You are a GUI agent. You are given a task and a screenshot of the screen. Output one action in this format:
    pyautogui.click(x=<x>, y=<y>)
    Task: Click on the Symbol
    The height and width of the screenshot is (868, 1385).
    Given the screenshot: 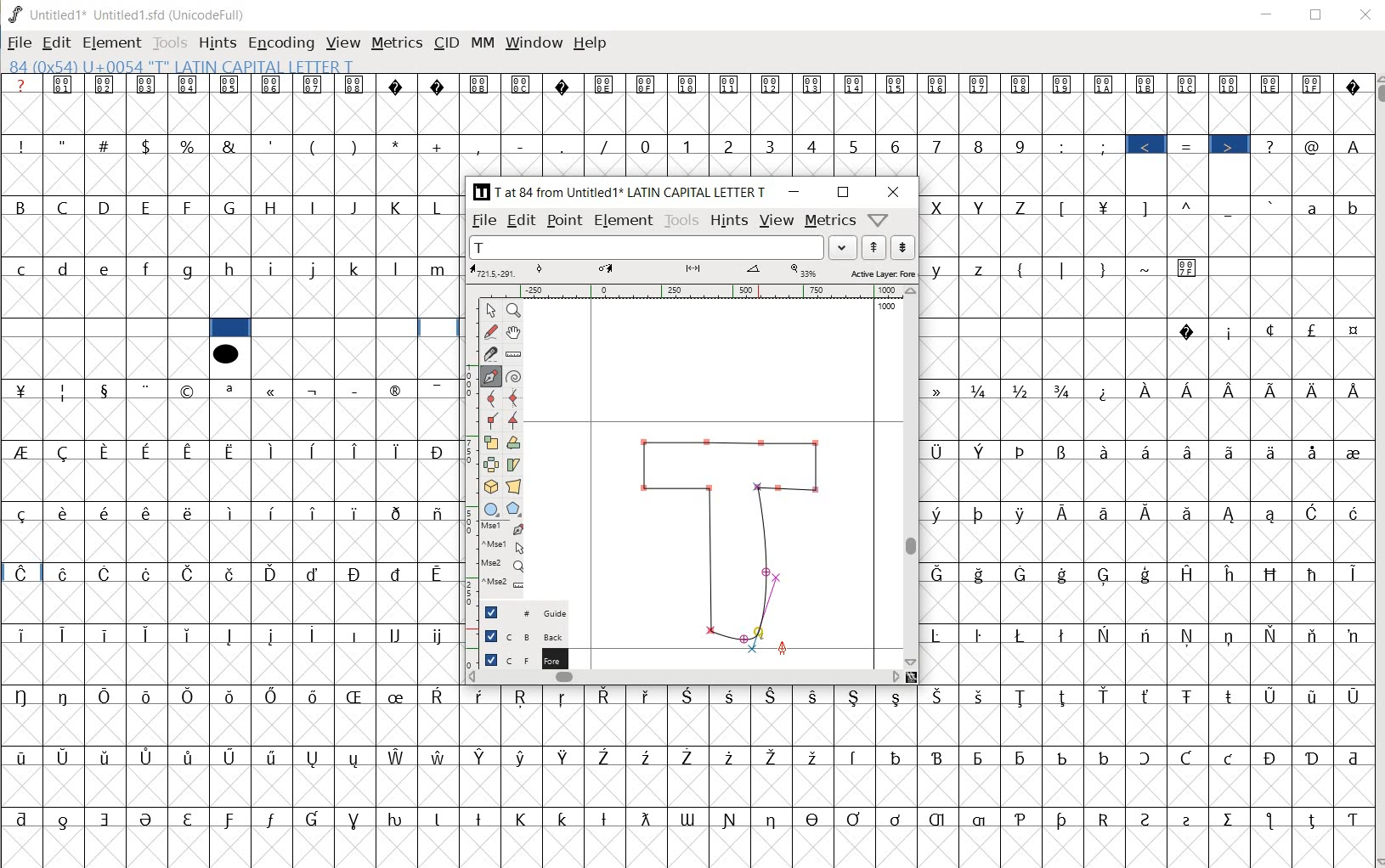 What is the action you would take?
    pyautogui.click(x=1150, y=573)
    